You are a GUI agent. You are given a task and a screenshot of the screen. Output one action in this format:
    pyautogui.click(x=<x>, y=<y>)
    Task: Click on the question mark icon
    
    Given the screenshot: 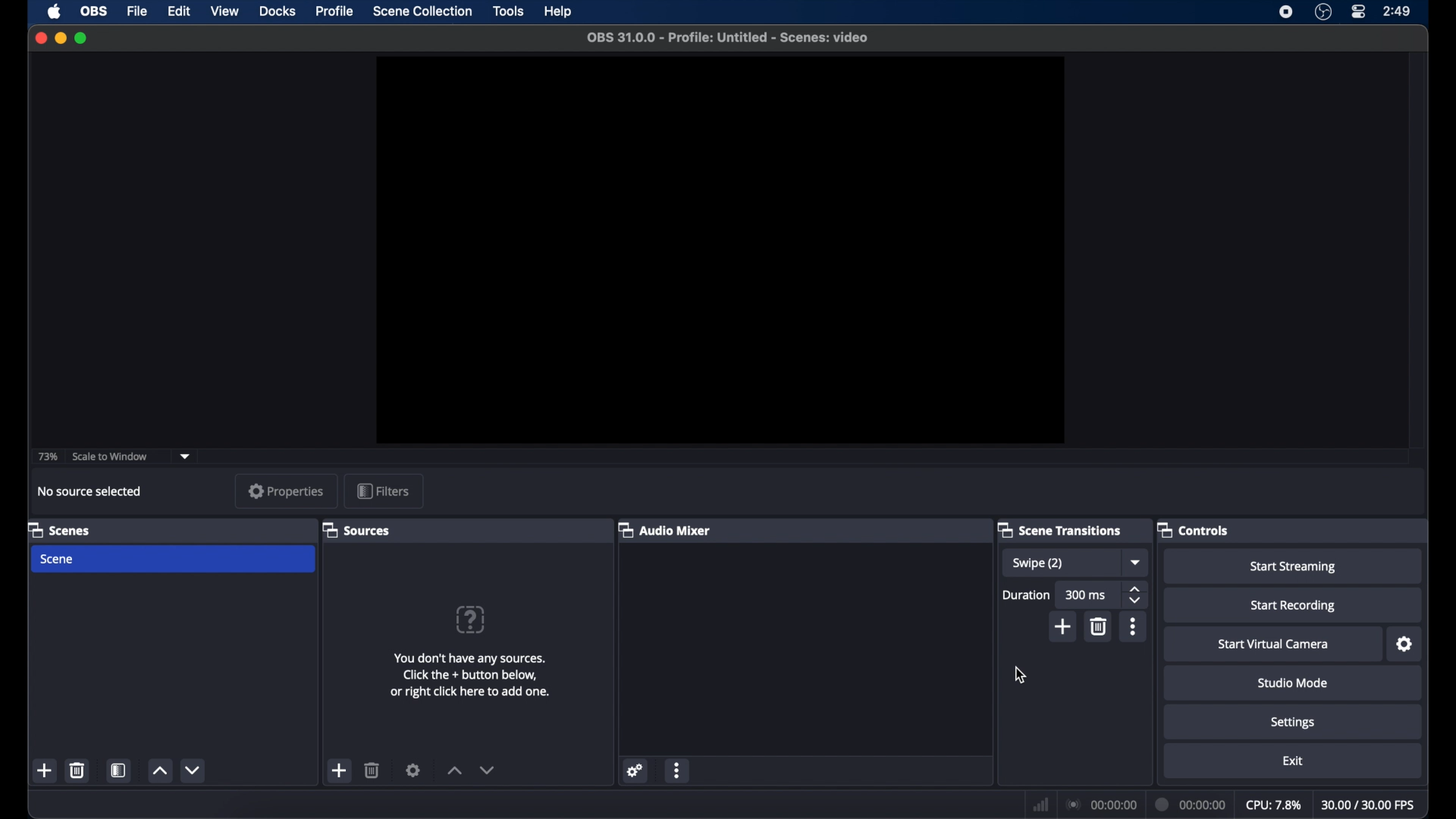 What is the action you would take?
    pyautogui.click(x=472, y=620)
    